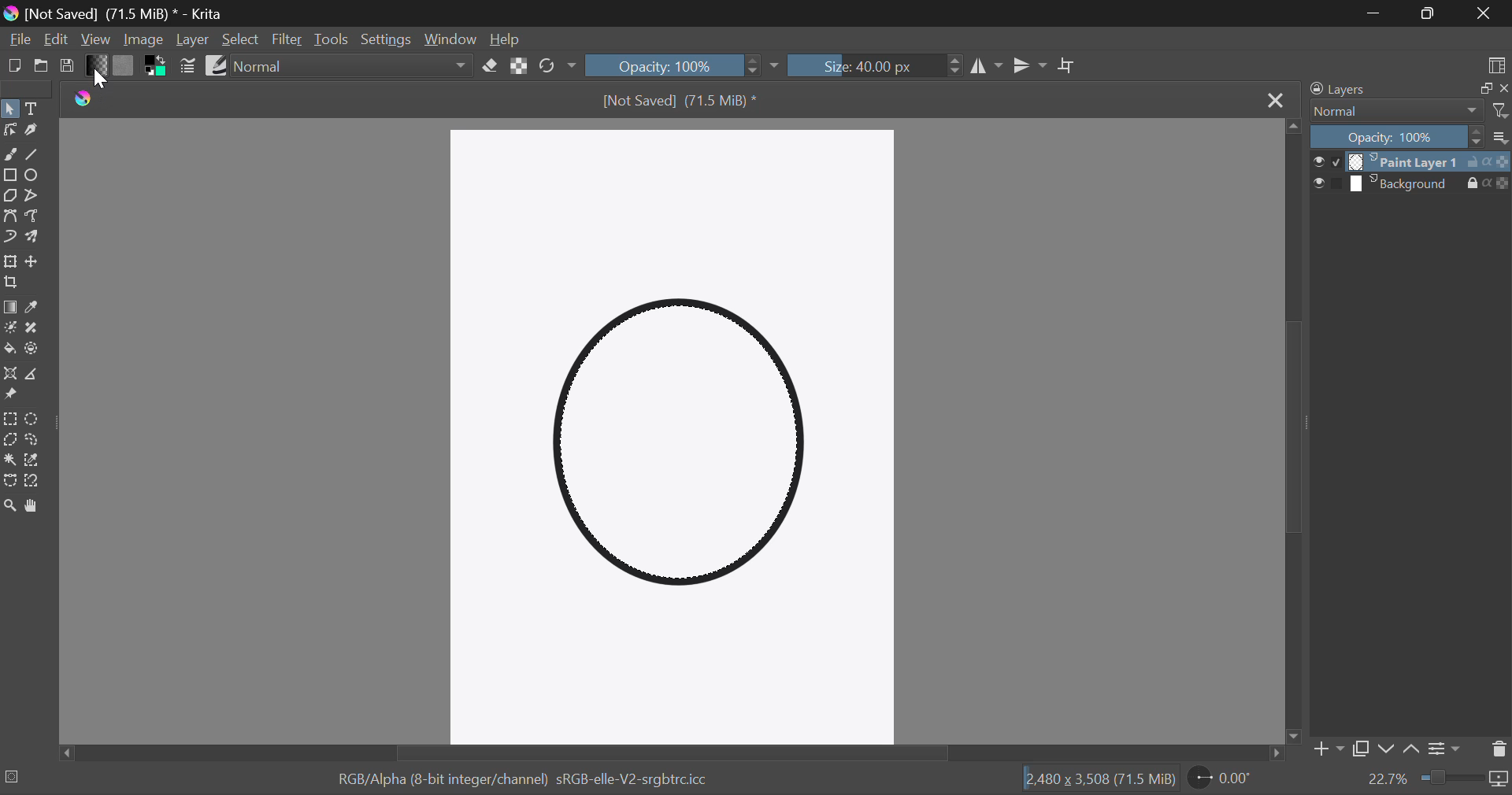  What do you see at coordinates (1389, 779) in the screenshot?
I see `zoom value` at bounding box center [1389, 779].